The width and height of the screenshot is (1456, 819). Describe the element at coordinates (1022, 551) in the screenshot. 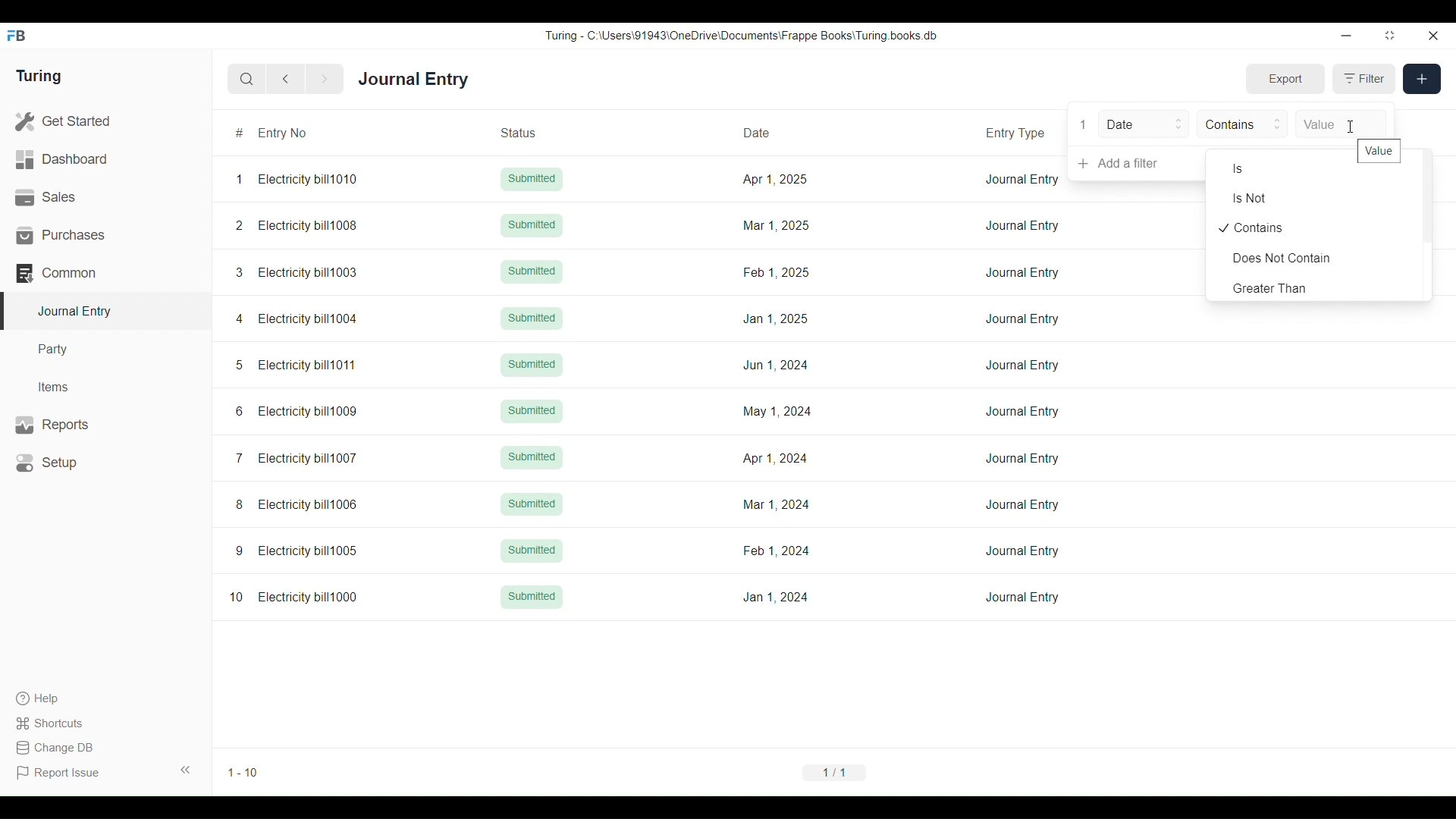

I see `Journal Entry` at that location.